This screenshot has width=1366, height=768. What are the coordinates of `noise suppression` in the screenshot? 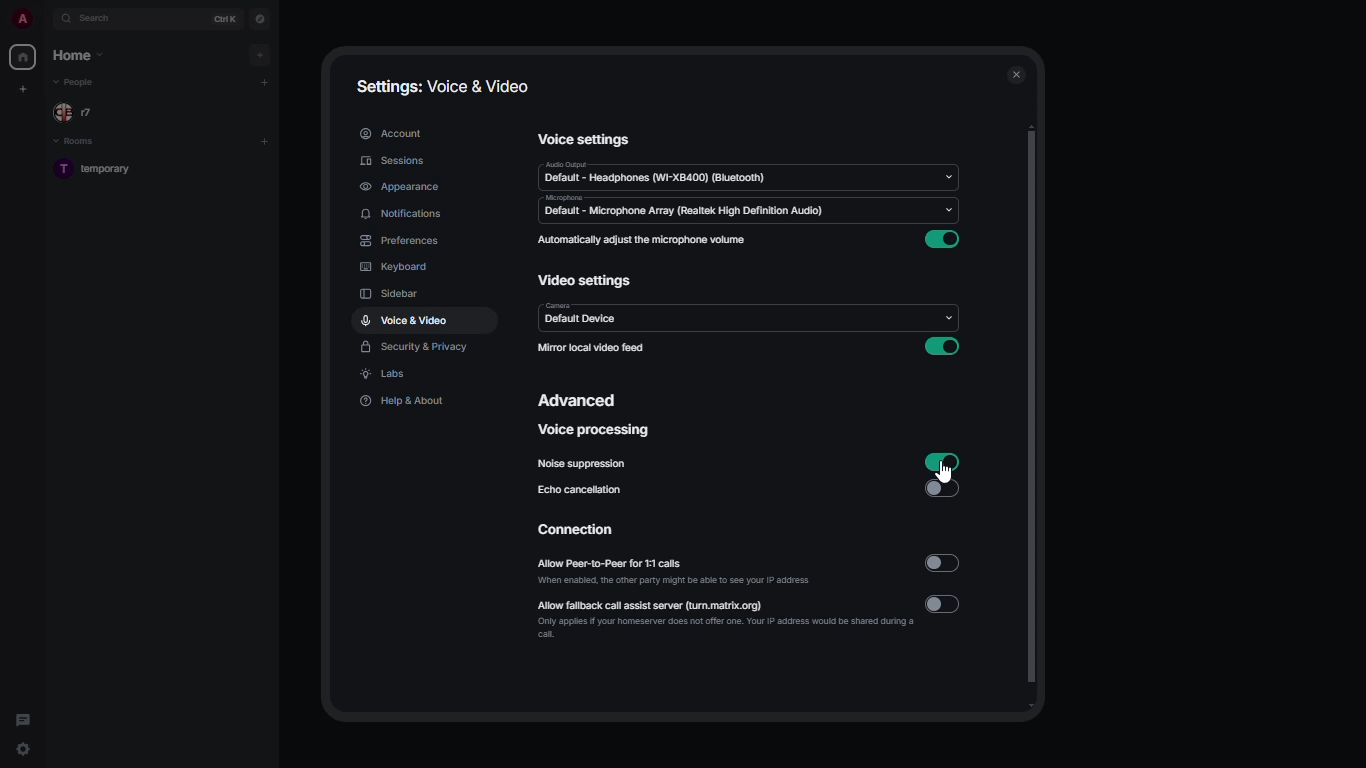 It's located at (582, 464).